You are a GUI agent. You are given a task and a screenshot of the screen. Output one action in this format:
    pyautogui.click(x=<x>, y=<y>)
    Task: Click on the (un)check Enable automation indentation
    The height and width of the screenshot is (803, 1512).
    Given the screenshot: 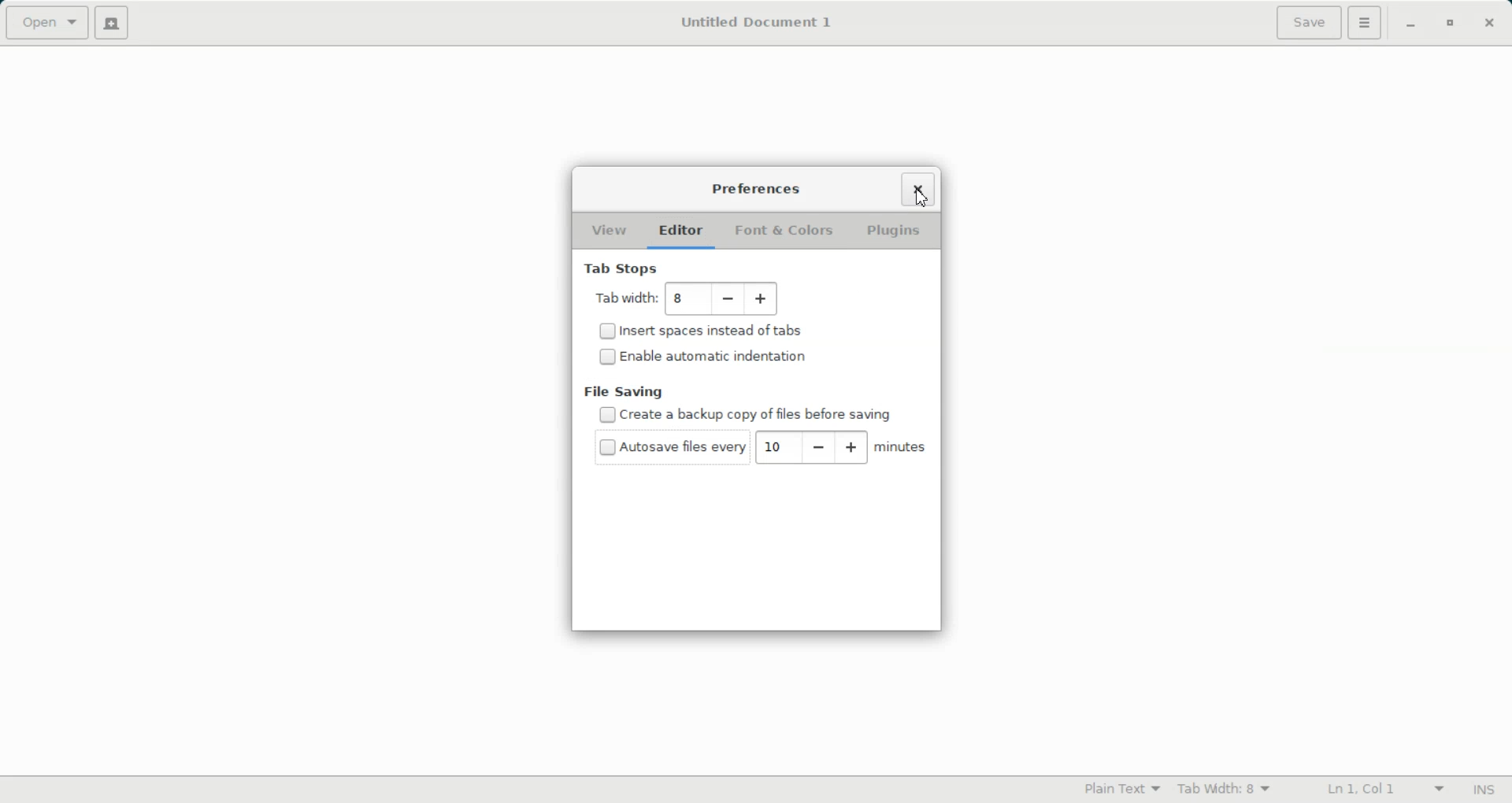 What is the action you would take?
    pyautogui.click(x=702, y=356)
    